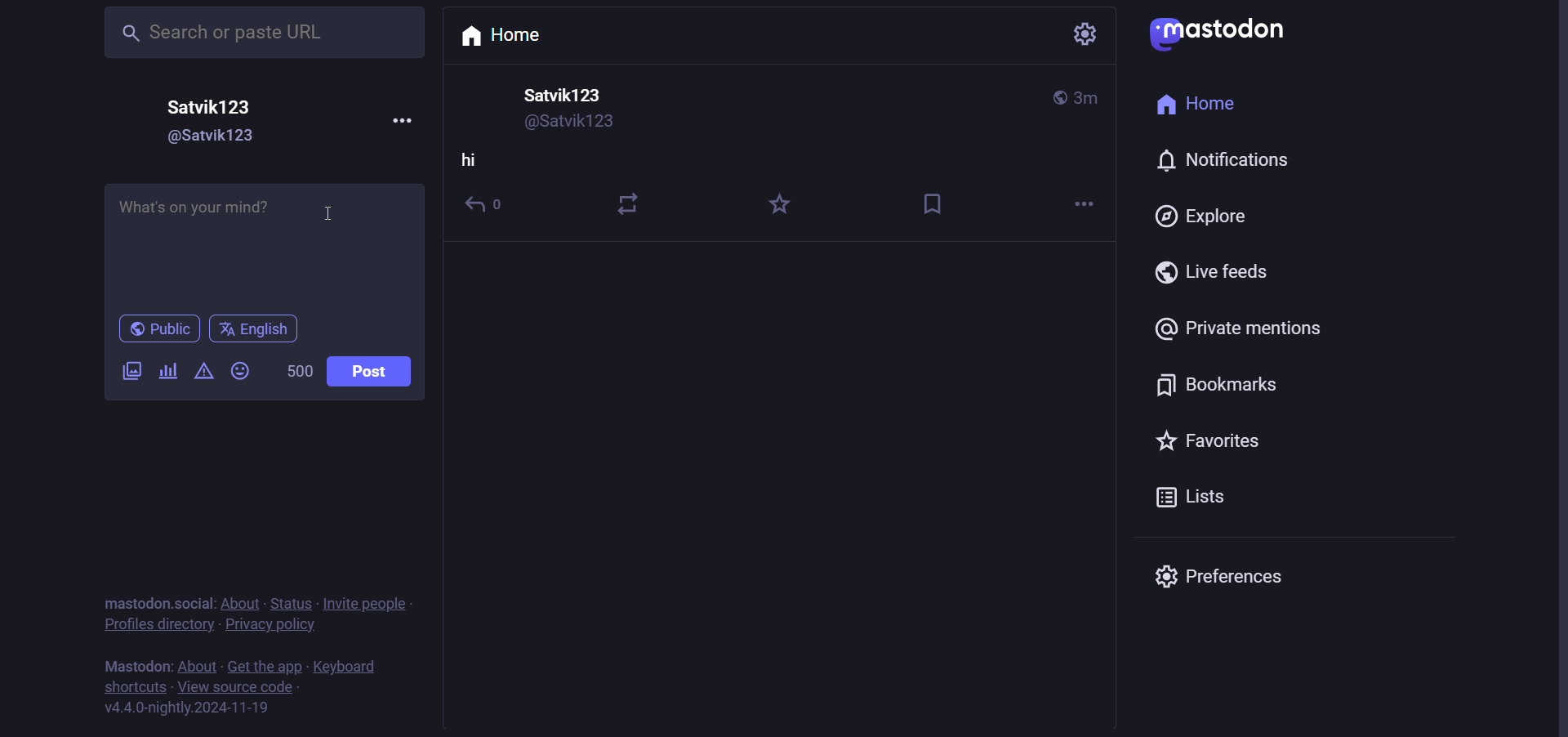 Image resolution: width=1568 pixels, height=737 pixels. I want to click on word limit, so click(299, 370).